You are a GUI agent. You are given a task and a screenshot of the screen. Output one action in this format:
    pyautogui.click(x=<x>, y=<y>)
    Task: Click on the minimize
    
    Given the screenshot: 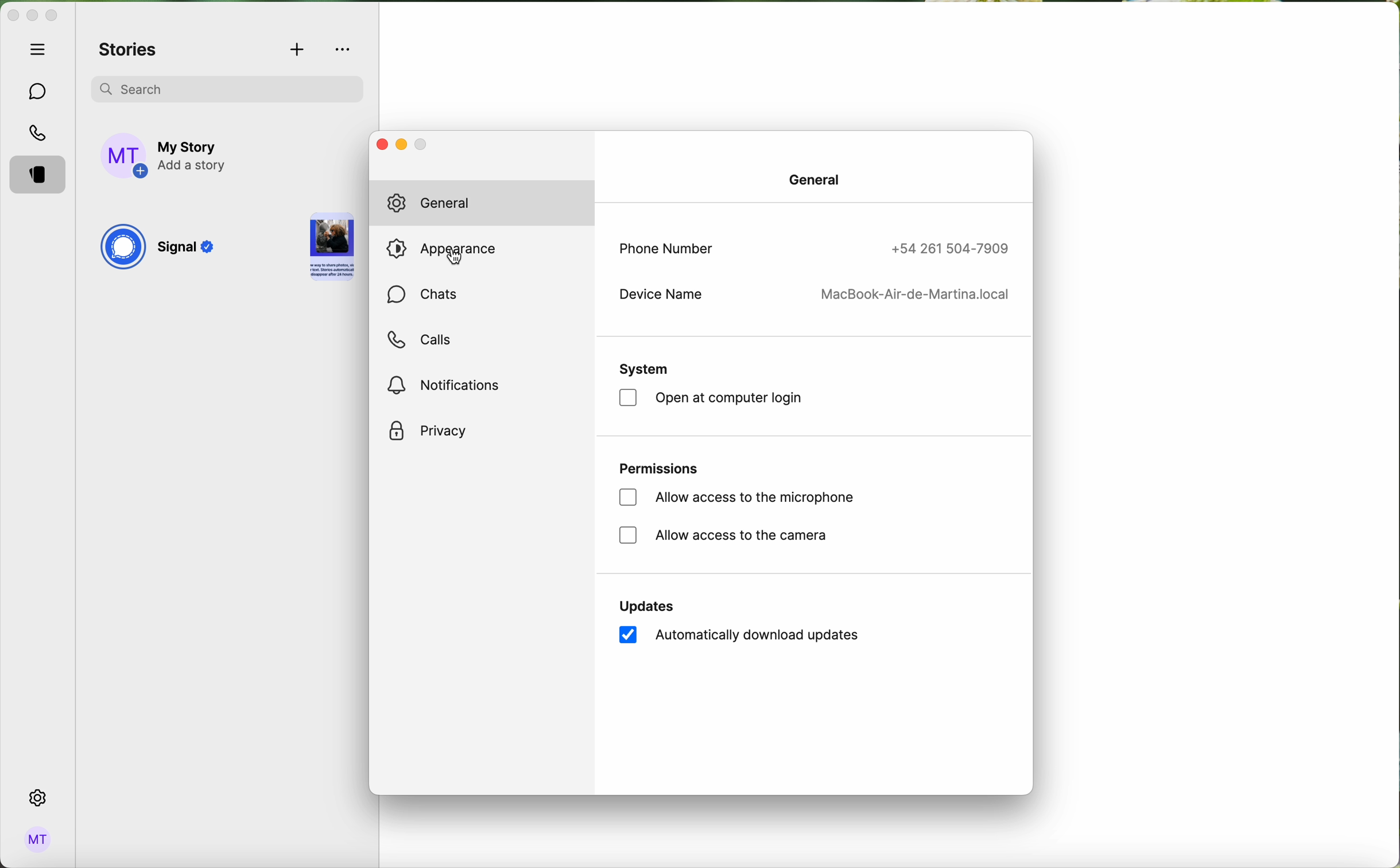 What is the action you would take?
    pyautogui.click(x=32, y=17)
    